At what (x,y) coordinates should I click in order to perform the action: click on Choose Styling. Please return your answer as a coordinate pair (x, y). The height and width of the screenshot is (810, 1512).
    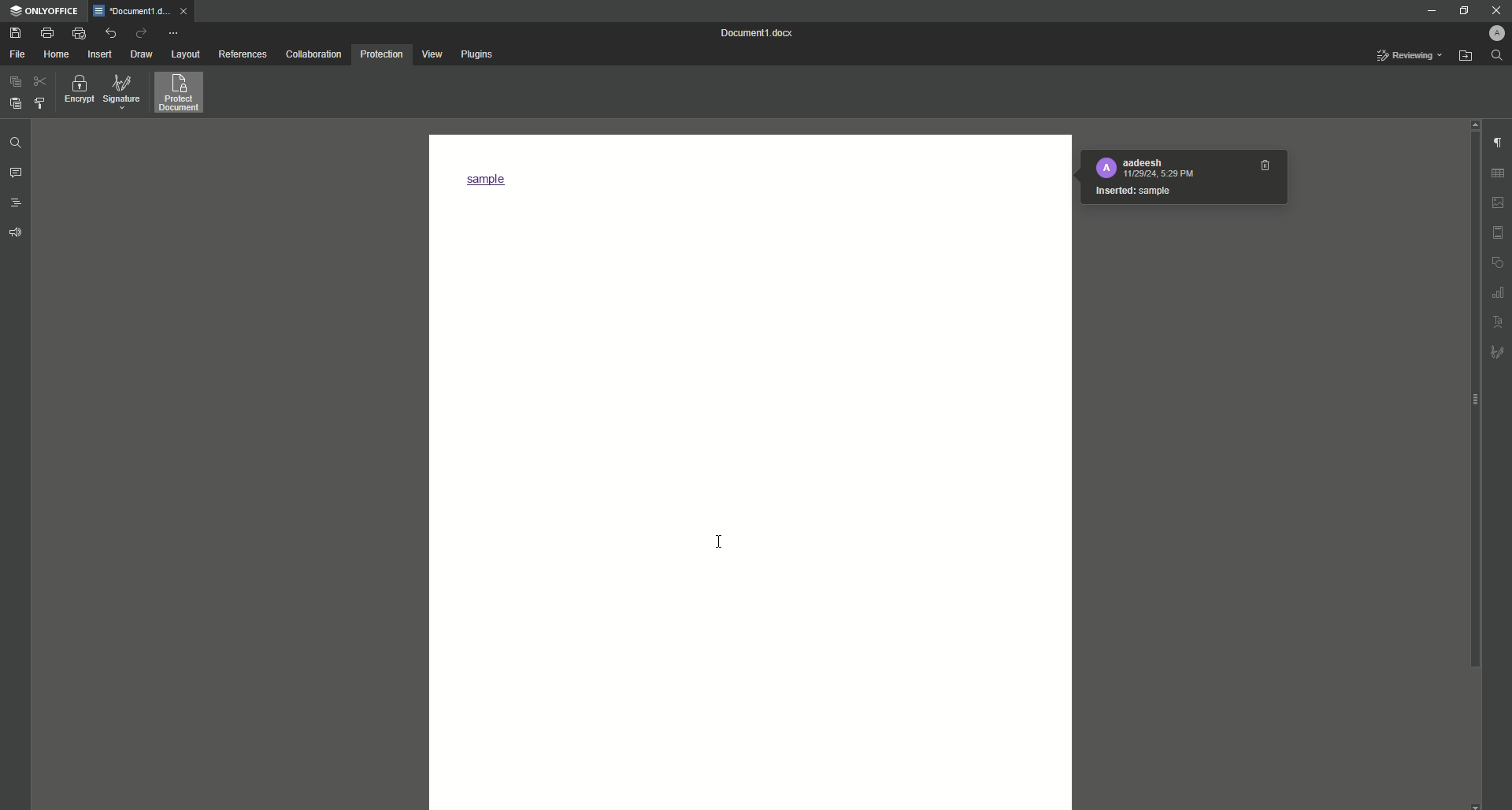
    Looking at the image, I should click on (40, 102).